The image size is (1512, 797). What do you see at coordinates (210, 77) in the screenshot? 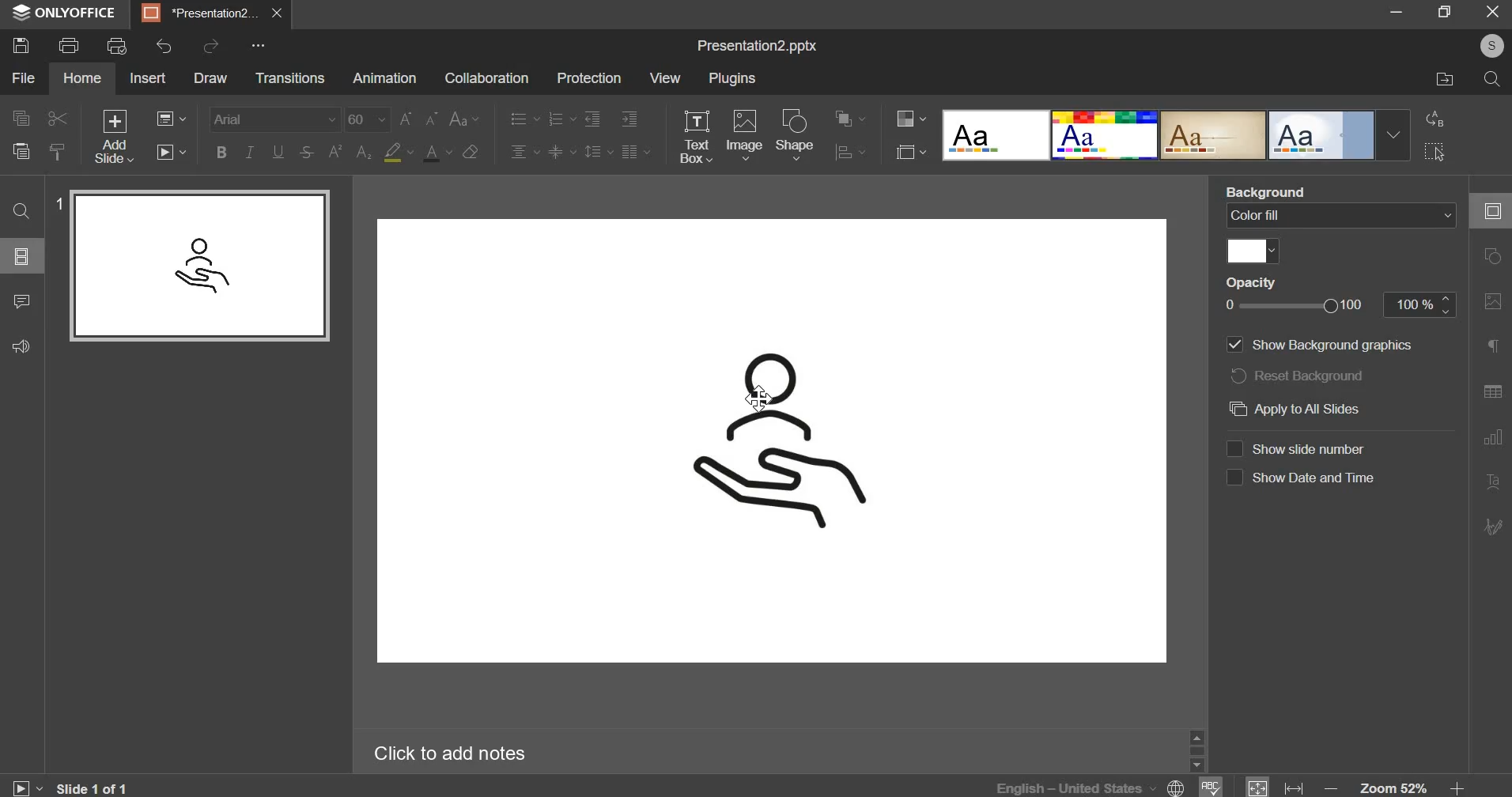
I see `draw` at bounding box center [210, 77].